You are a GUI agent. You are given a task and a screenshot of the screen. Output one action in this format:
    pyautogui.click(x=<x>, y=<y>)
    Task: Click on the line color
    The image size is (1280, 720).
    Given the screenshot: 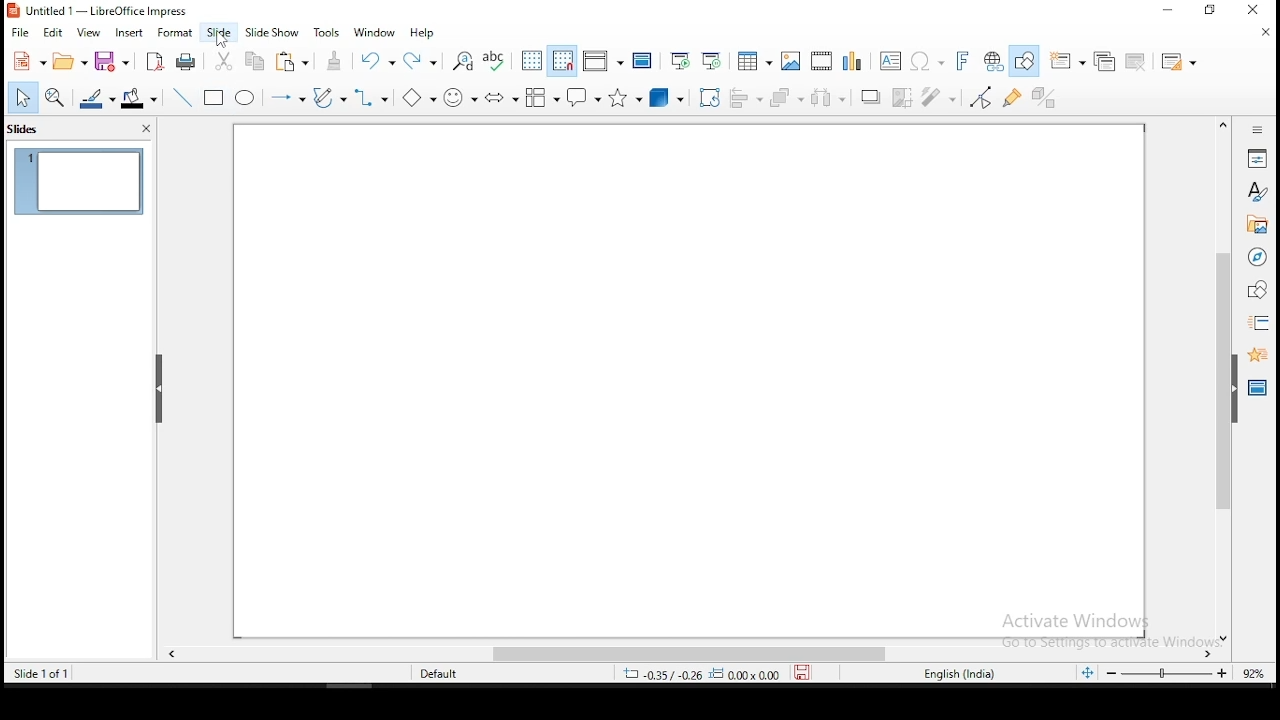 What is the action you would take?
    pyautogui.click(x=98, y=98)
    